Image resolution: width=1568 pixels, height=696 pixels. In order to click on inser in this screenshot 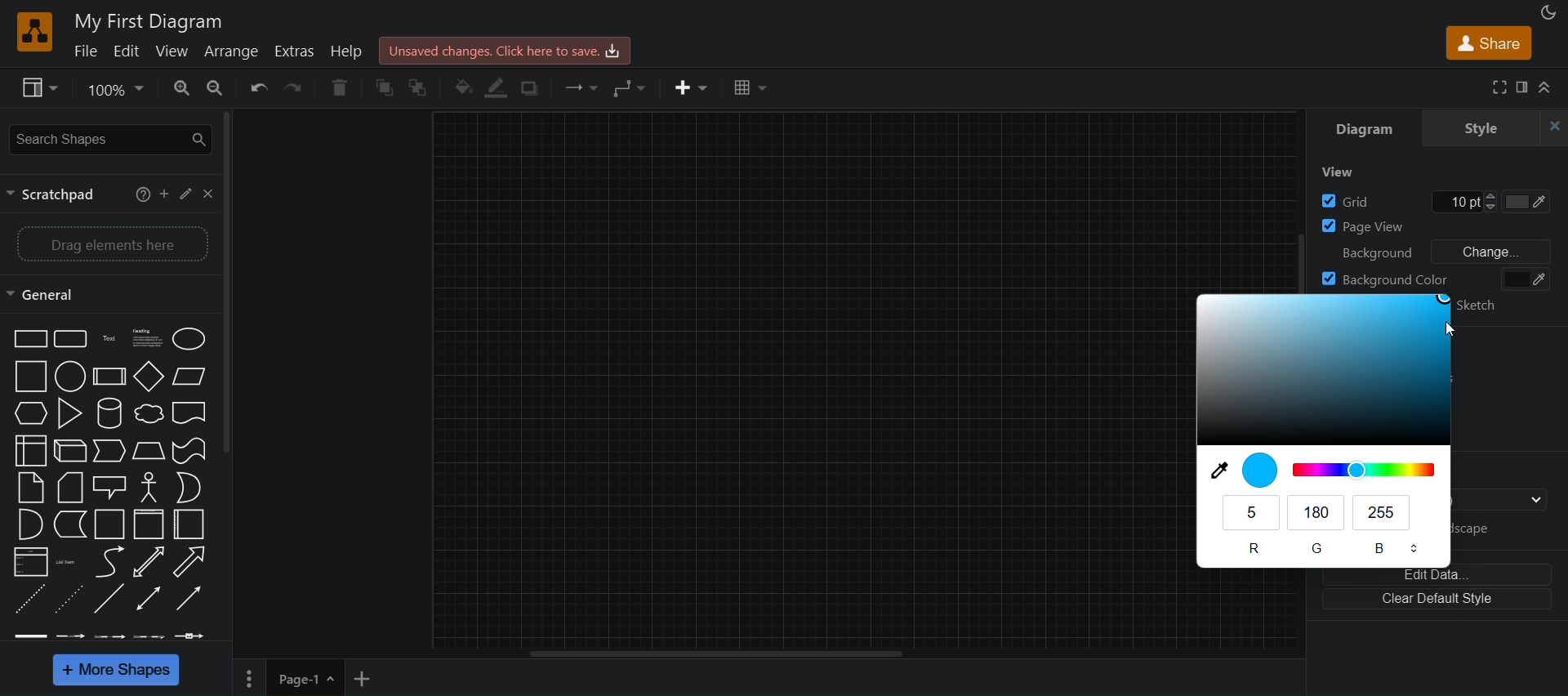, I will do `click(693, 88)`.